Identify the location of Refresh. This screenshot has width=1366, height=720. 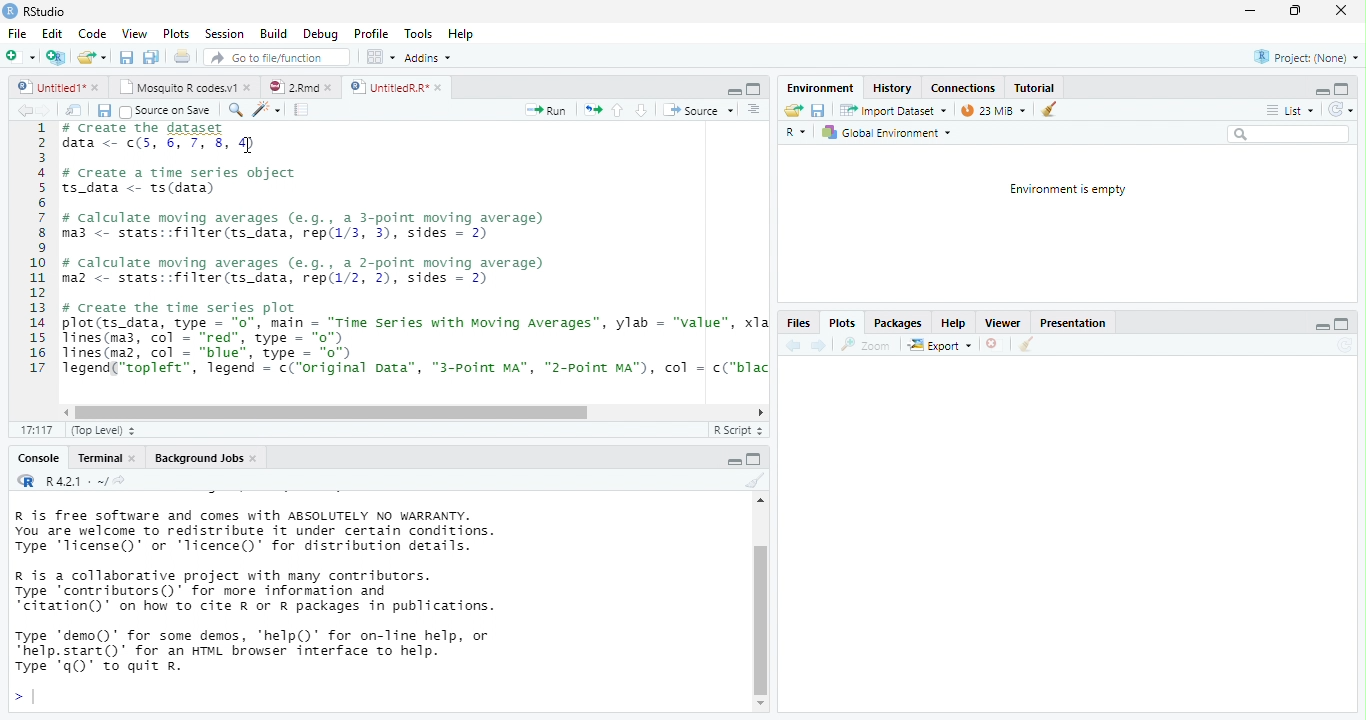
(1345, 345).